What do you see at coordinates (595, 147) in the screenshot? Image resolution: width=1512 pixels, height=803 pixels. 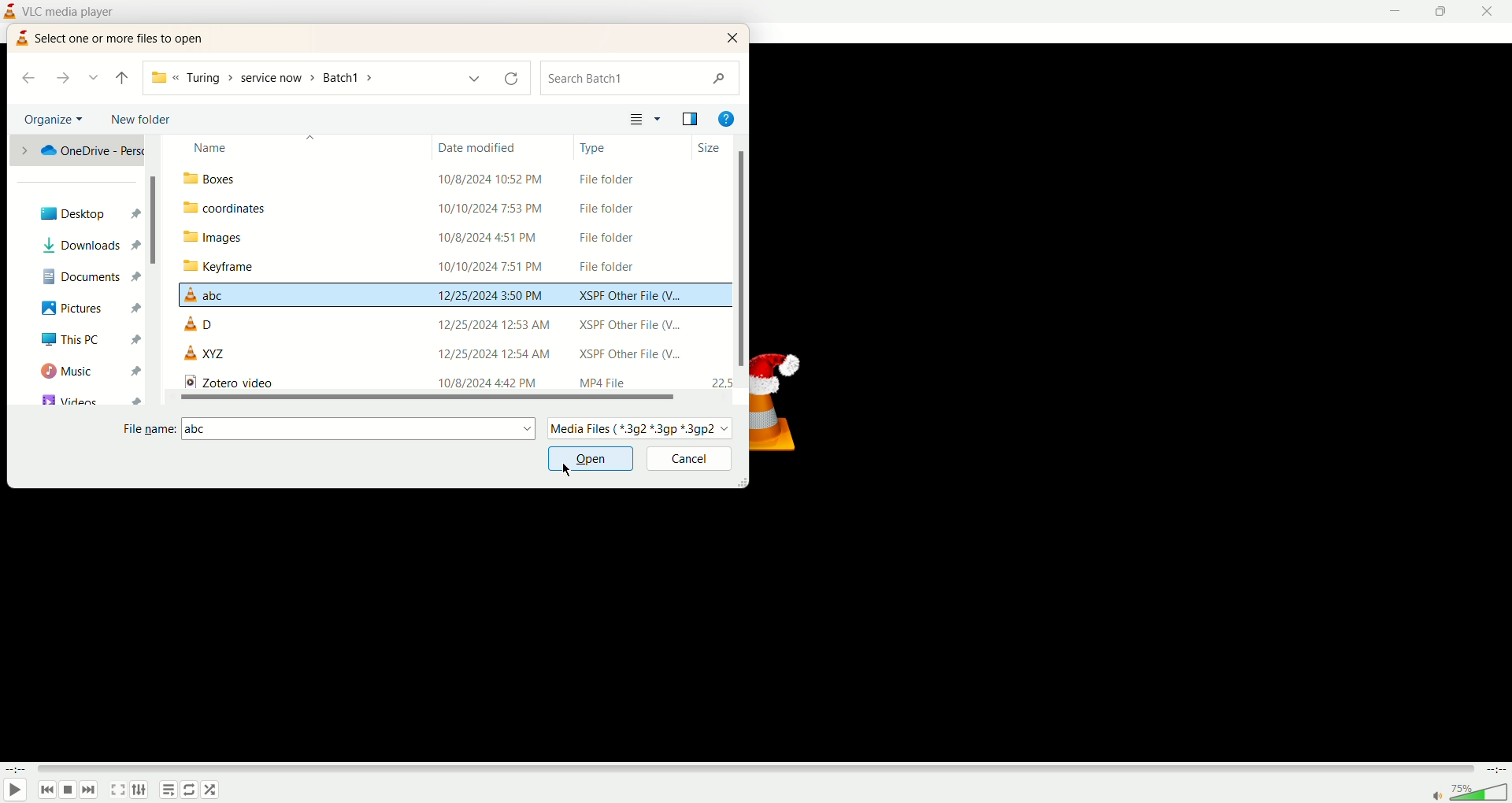 I see `type` at bounding box center [595, 147].